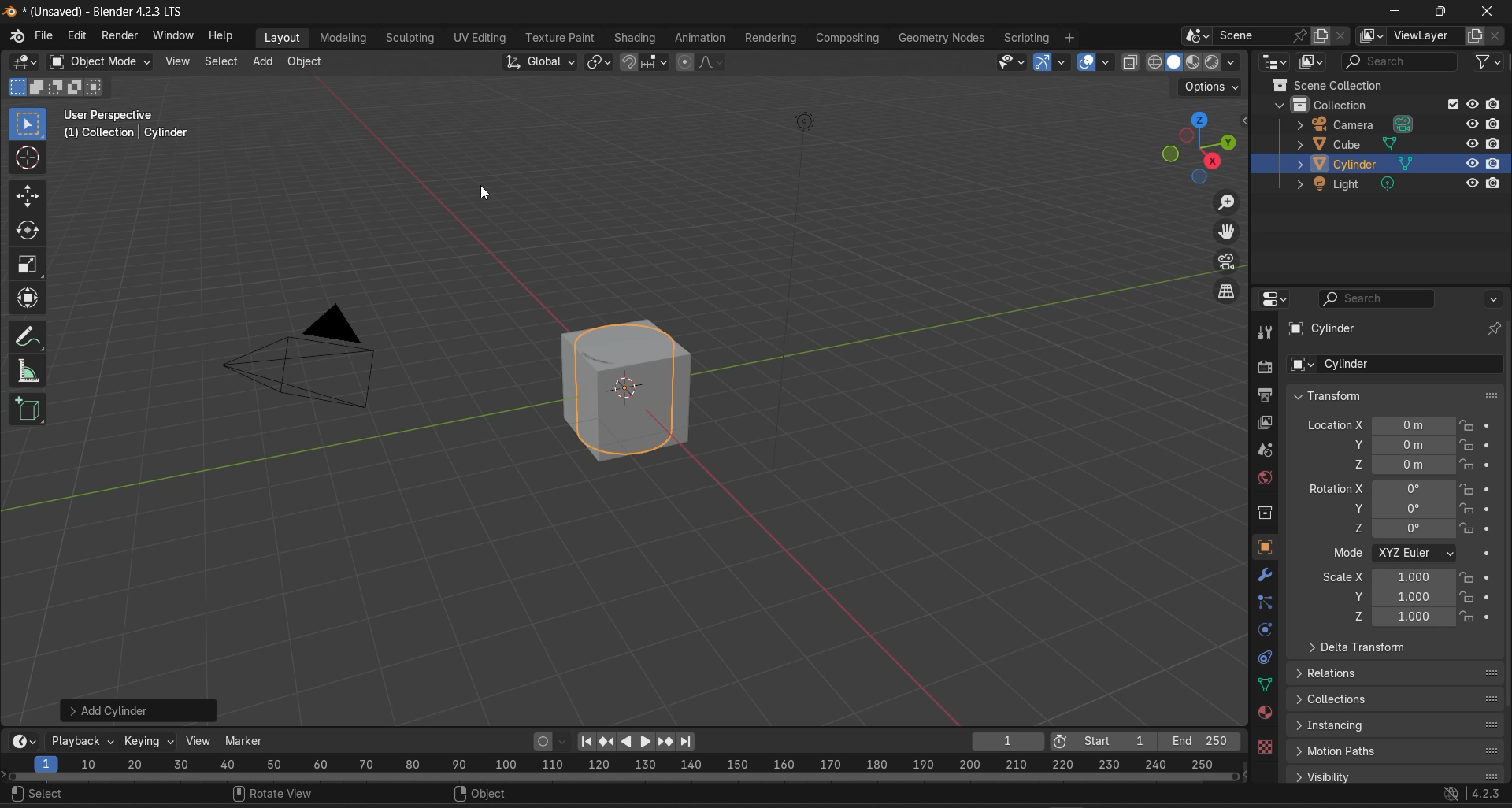  I want to click on view, so click(178, 61).